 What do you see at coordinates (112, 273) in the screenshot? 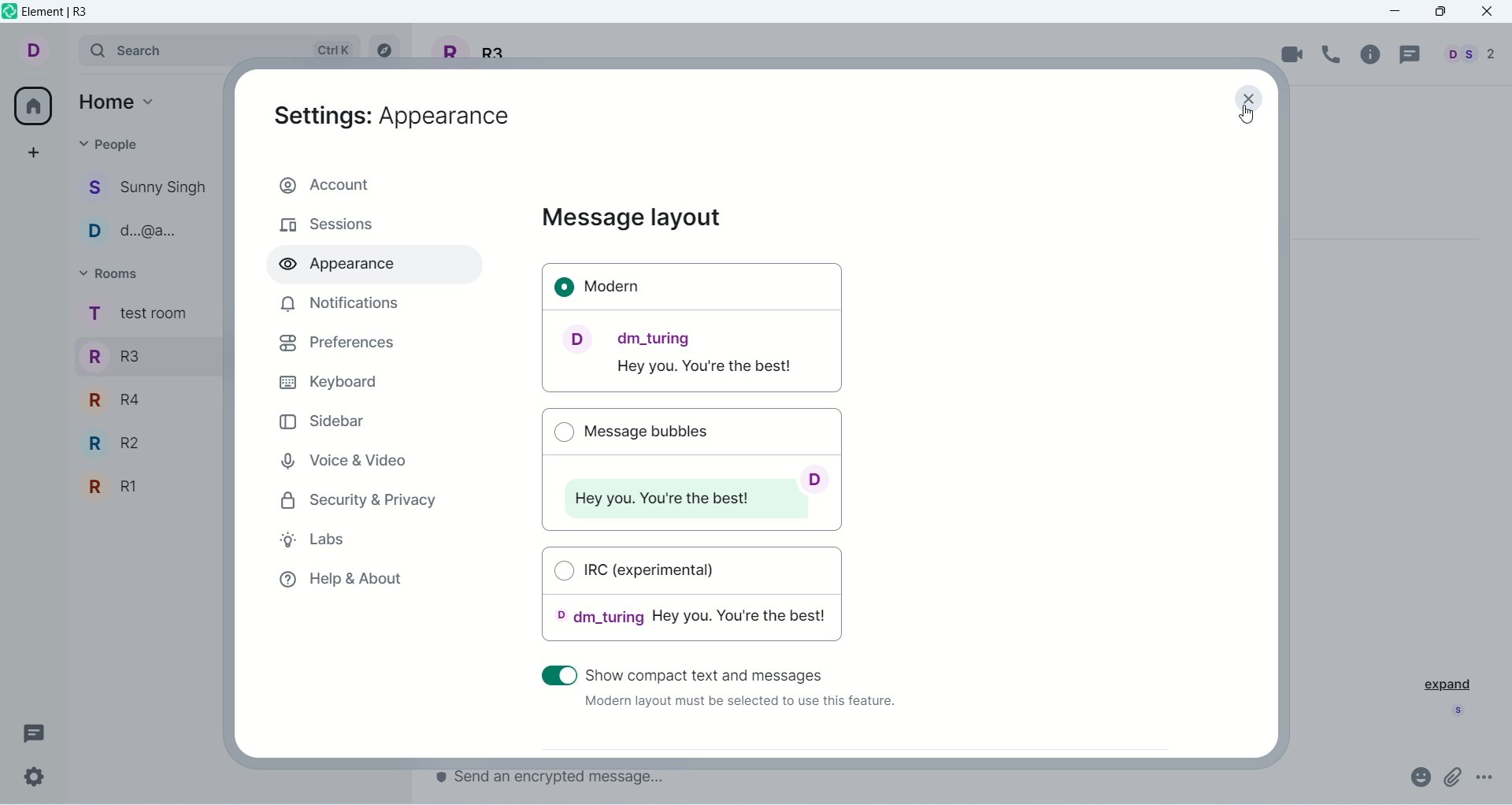
I see `rooms` at bounding box center [112, 273].